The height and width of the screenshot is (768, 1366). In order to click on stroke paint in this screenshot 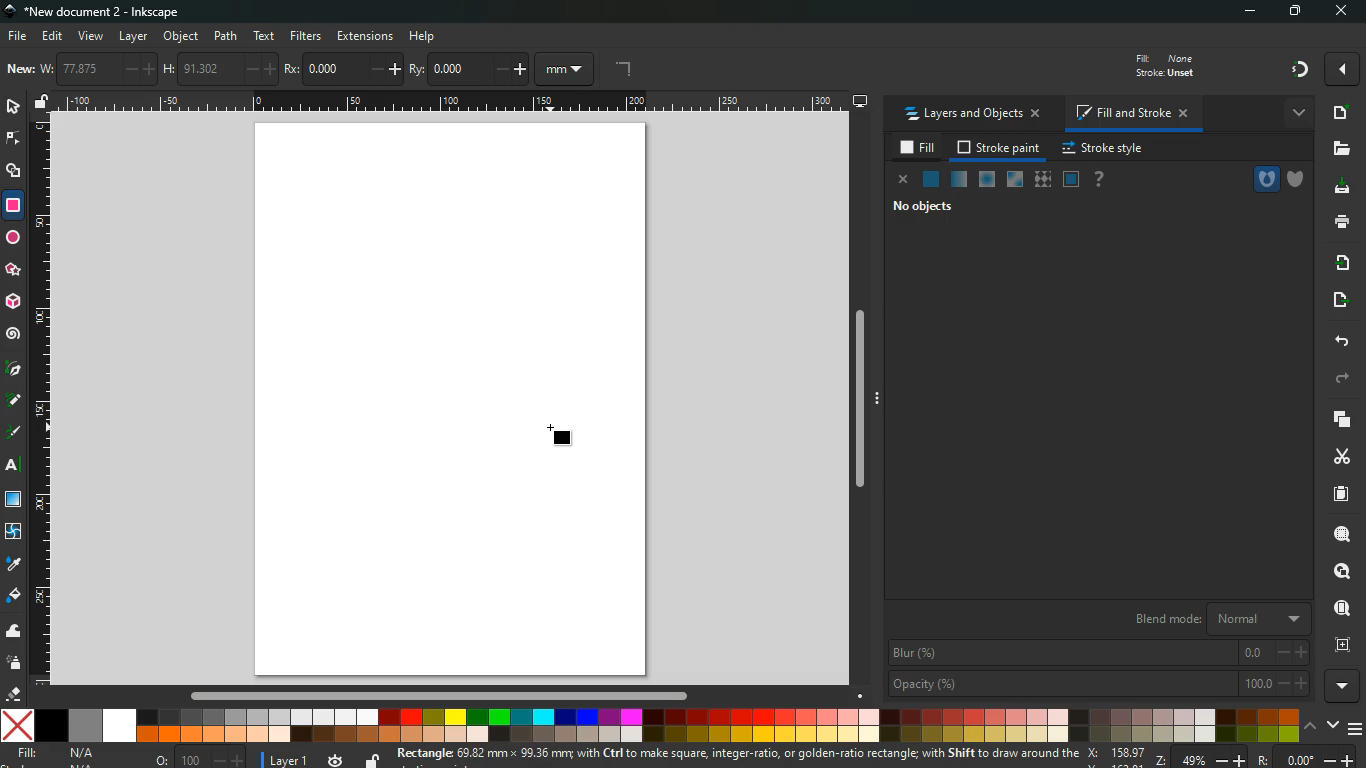, I will do `click(999, 148)`.